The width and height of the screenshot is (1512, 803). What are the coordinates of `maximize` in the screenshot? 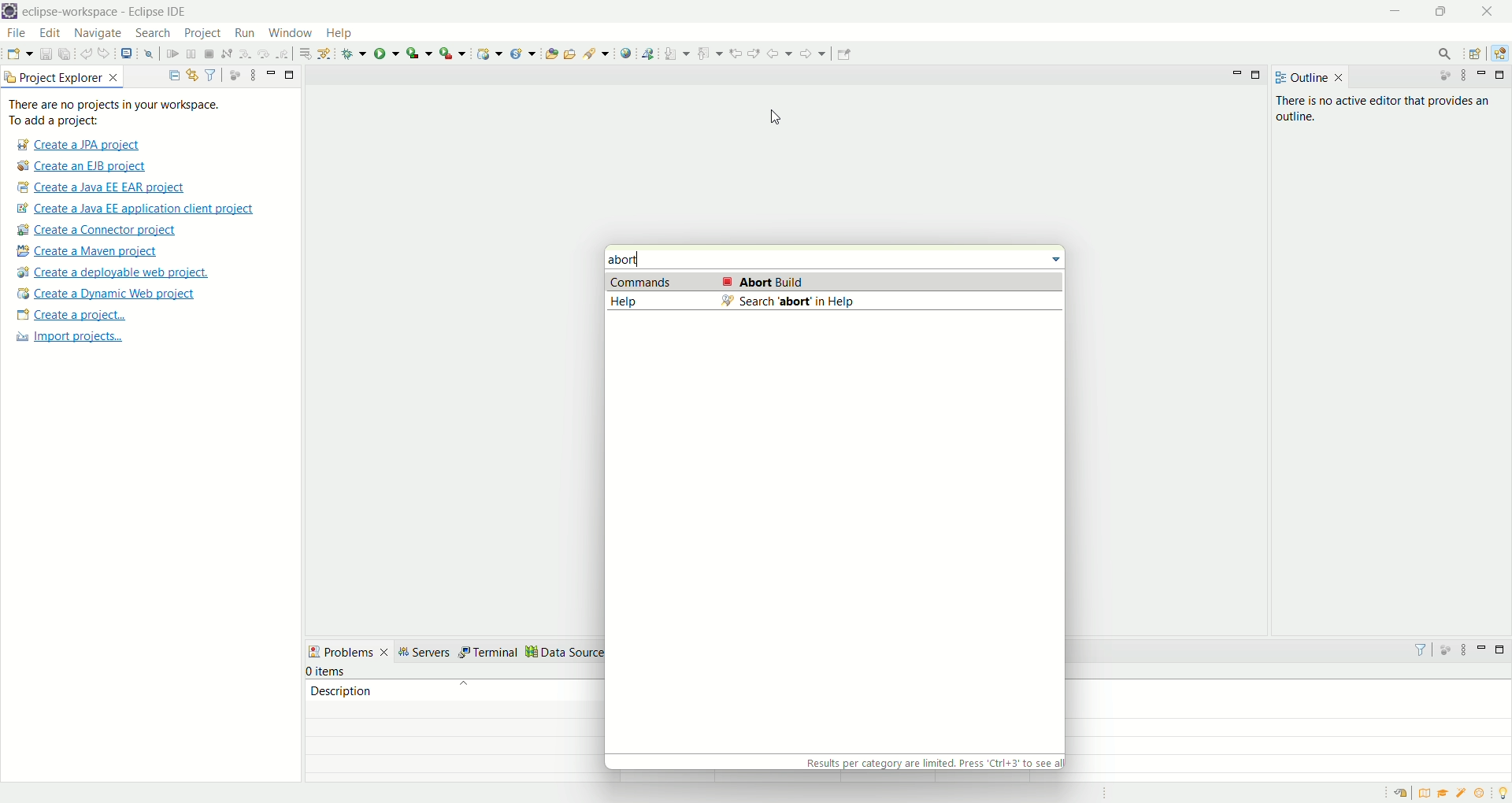 It's located at (1439, 11).